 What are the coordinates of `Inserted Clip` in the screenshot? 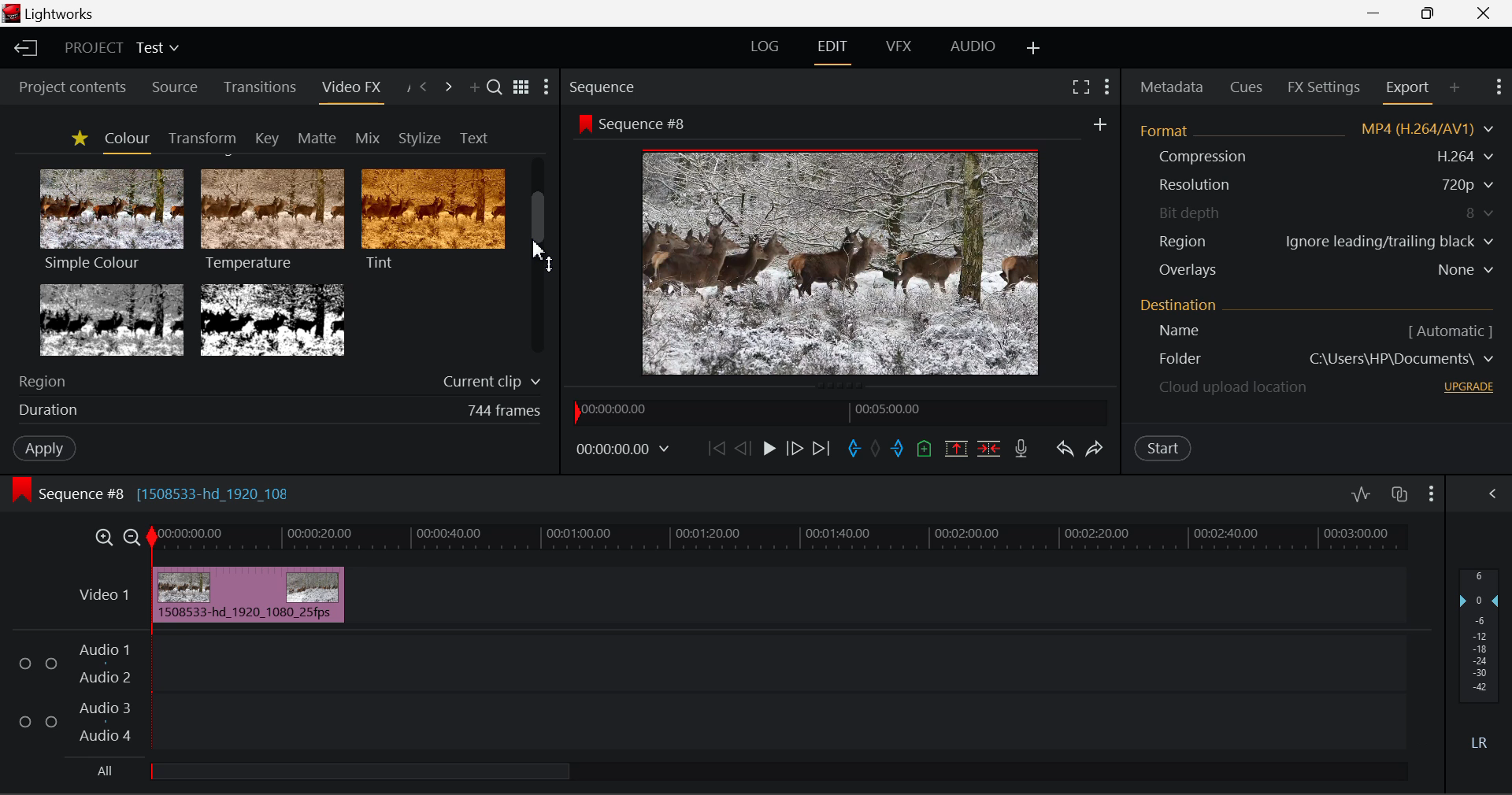 It's located at (249, 594).